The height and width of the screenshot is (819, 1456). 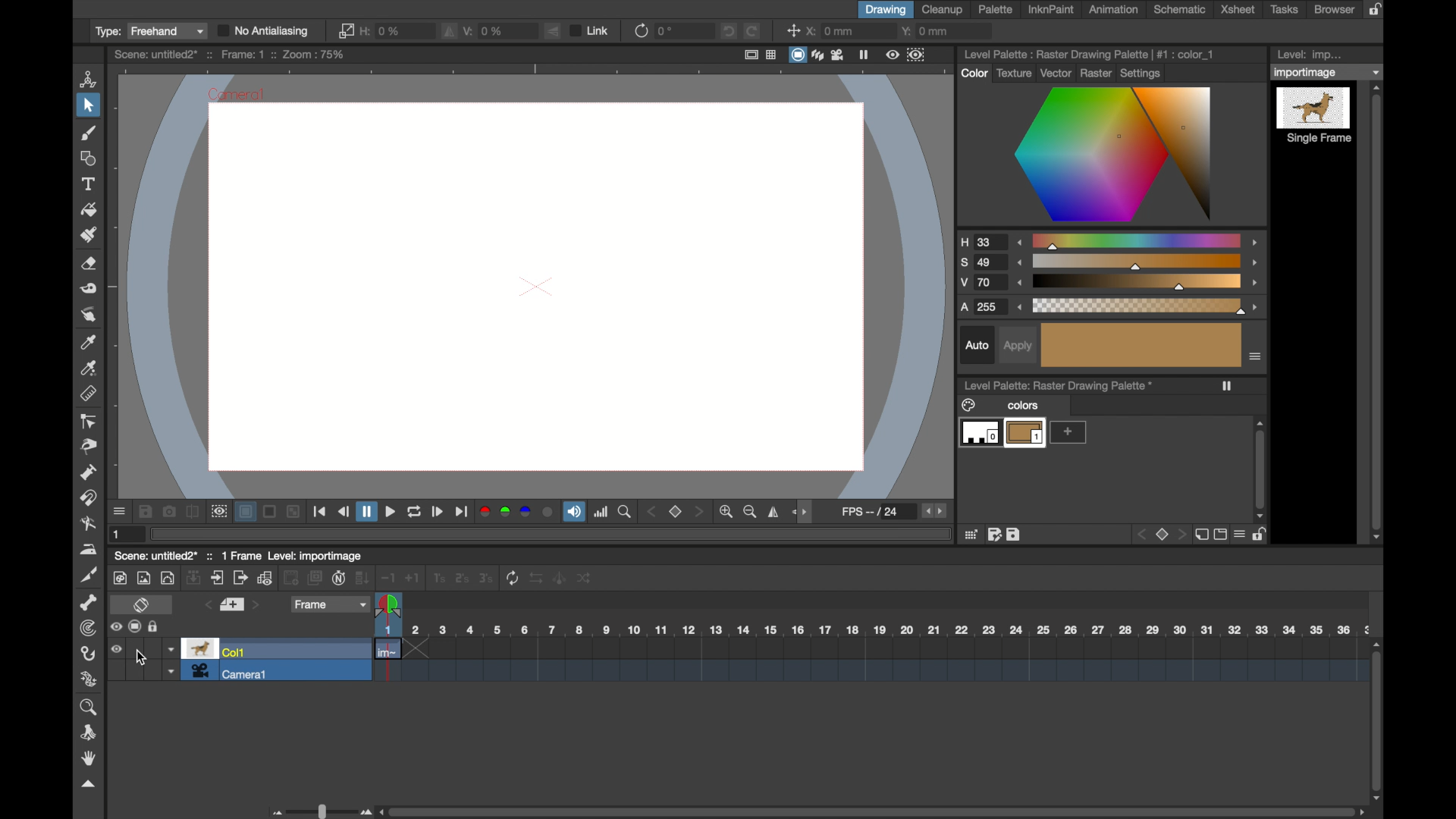 I want to click on level, so click(x=1025, y=434).